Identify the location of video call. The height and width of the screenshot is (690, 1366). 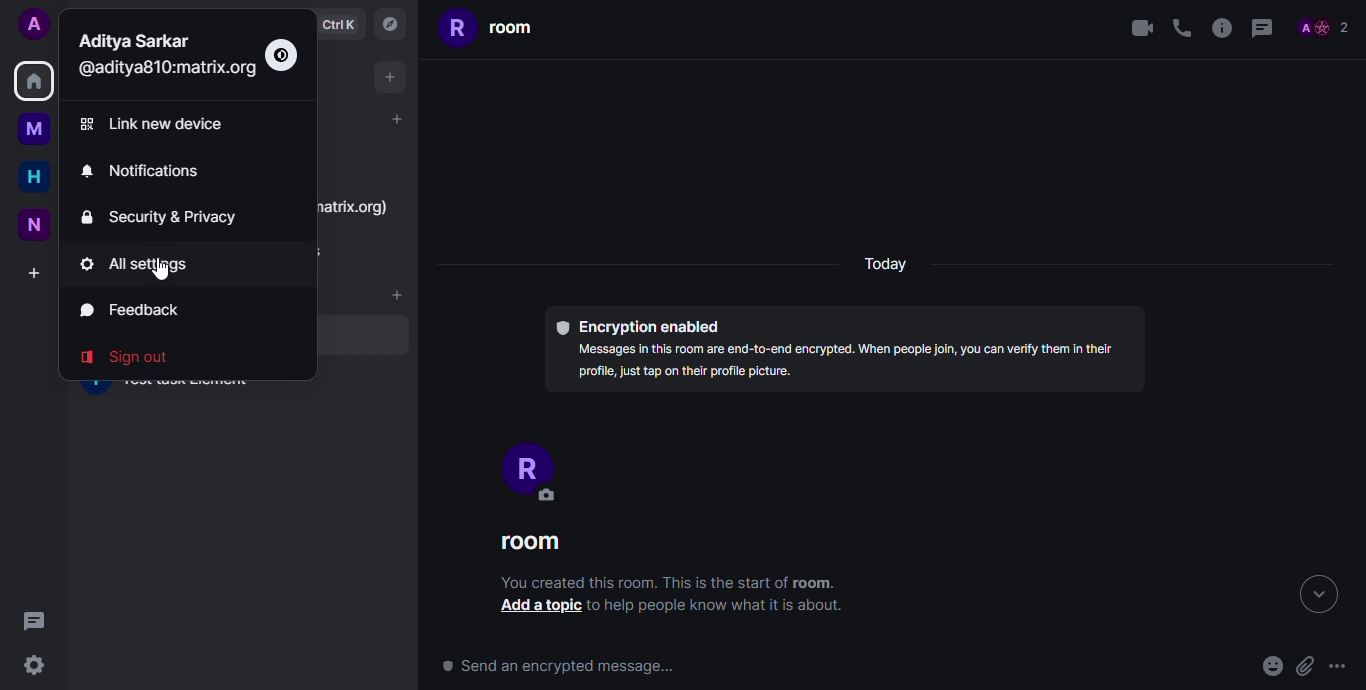
(1138, 28).